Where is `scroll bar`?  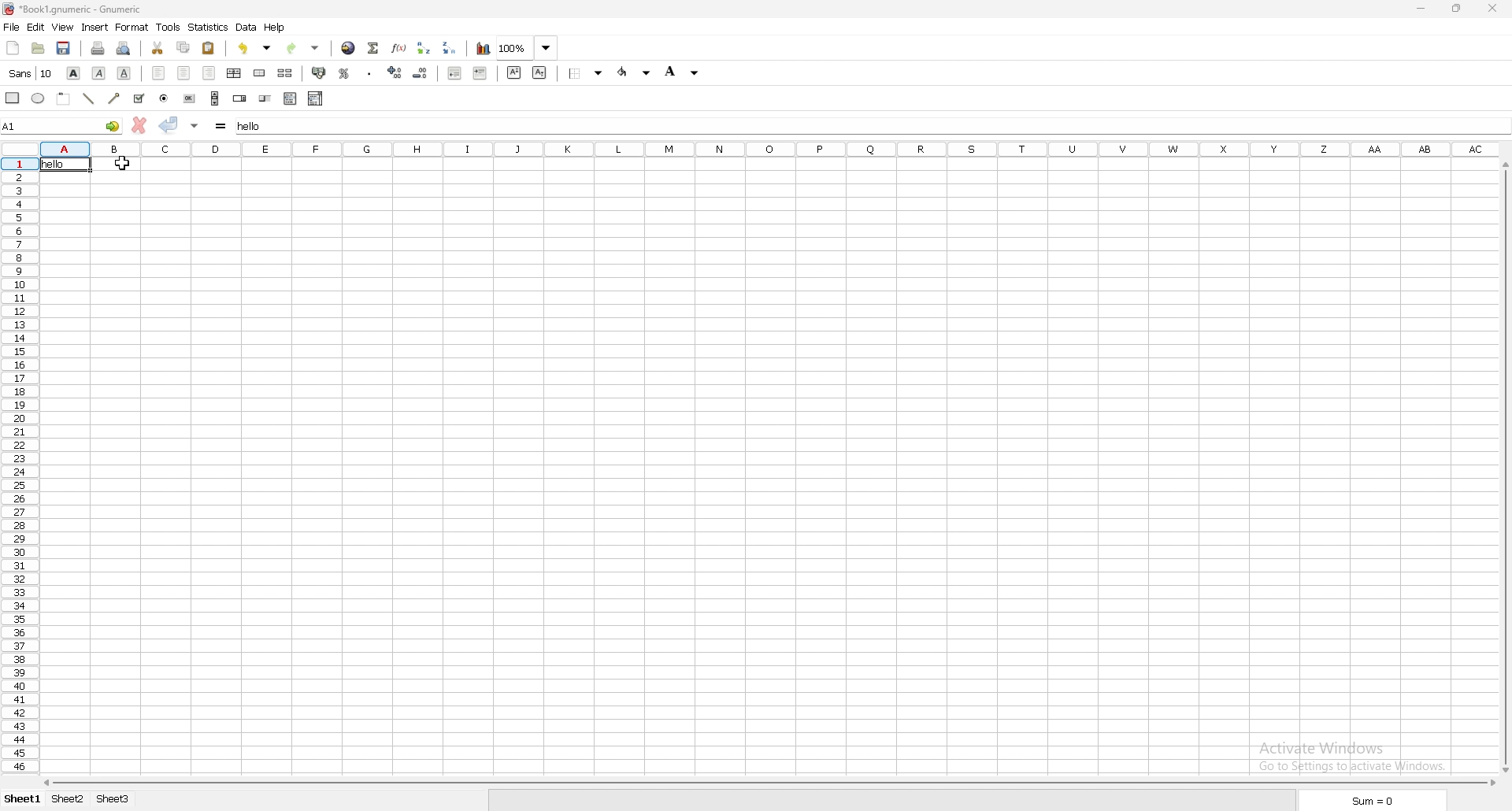
scroll bar is located at coordinates (1504, 469).